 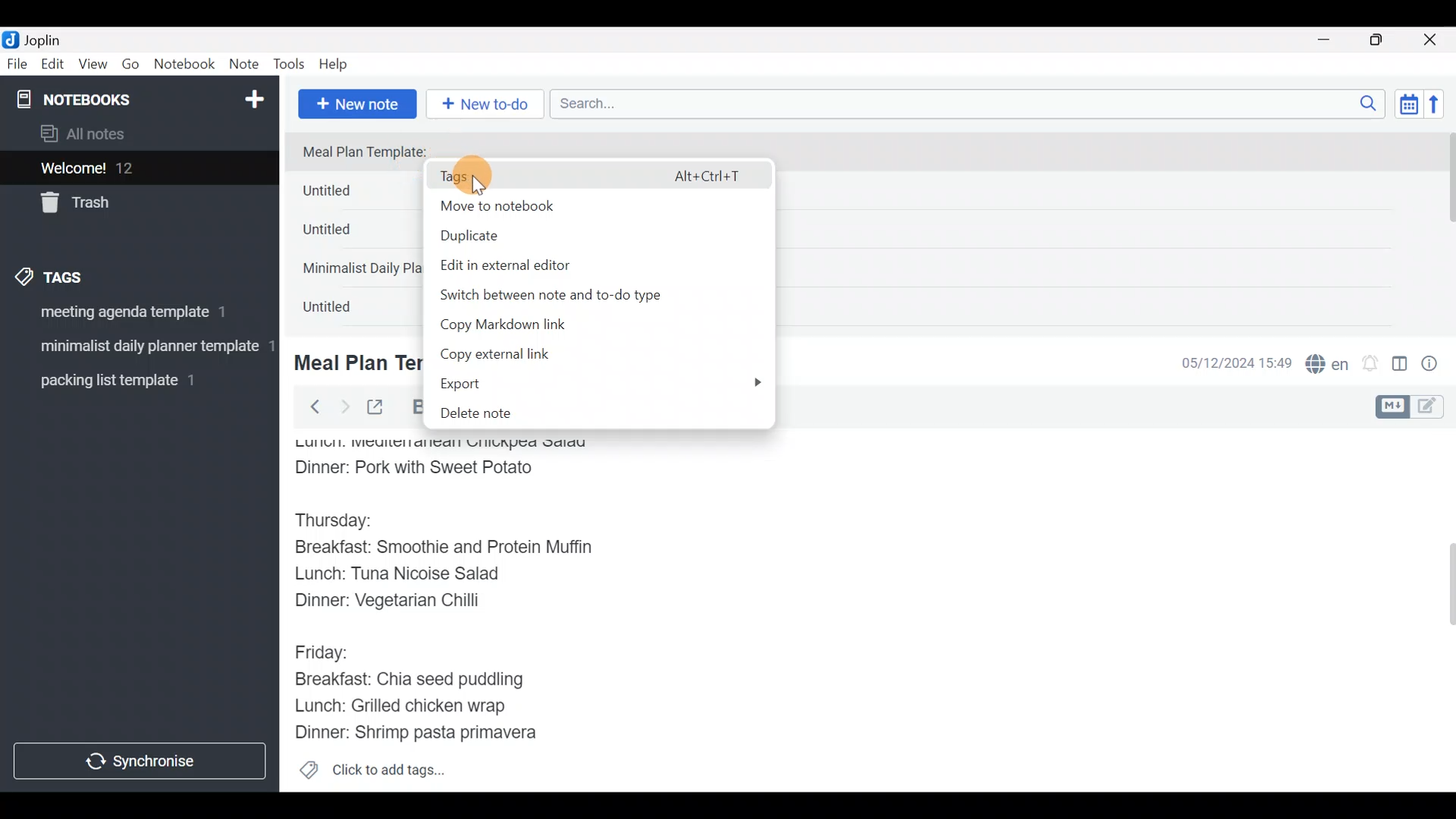 I want to click on Spelling, so click(x=1328, y=366).